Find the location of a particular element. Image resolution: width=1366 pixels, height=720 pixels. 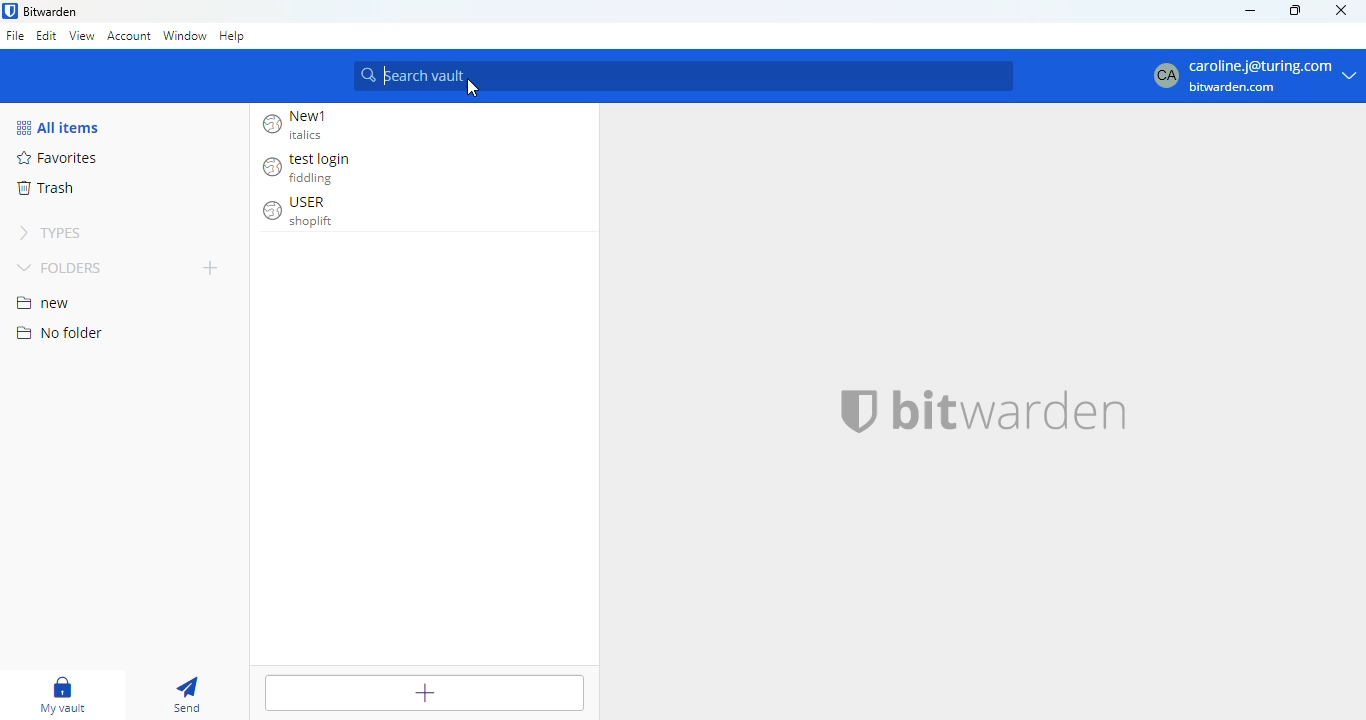

my vault is located at coordinates (66, 695).